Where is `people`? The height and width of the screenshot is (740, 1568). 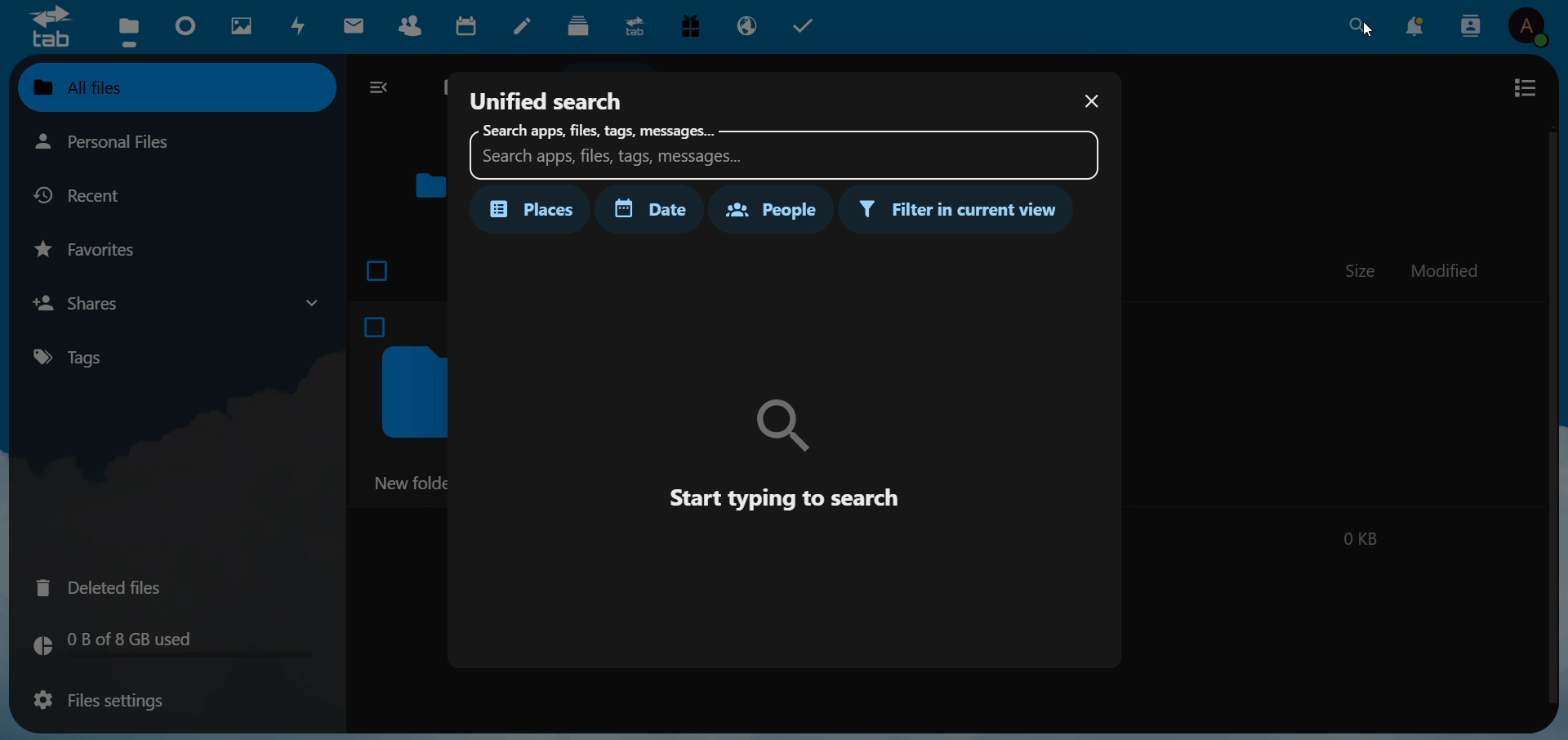
people is located at coordinates (768, 207).